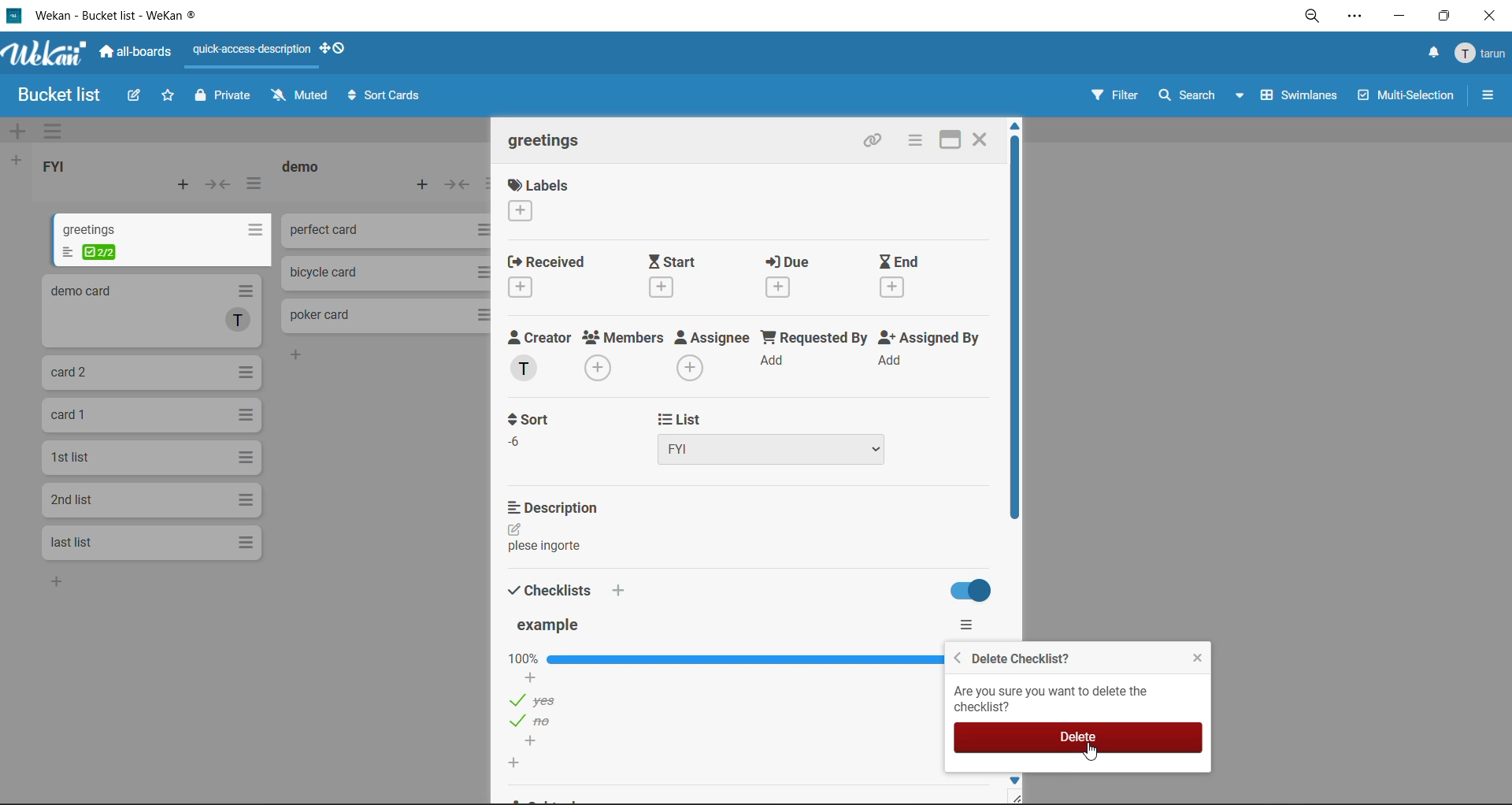  Describe the element at coordinates (1476, 50) in the screenshot. I see `menu` at that location.